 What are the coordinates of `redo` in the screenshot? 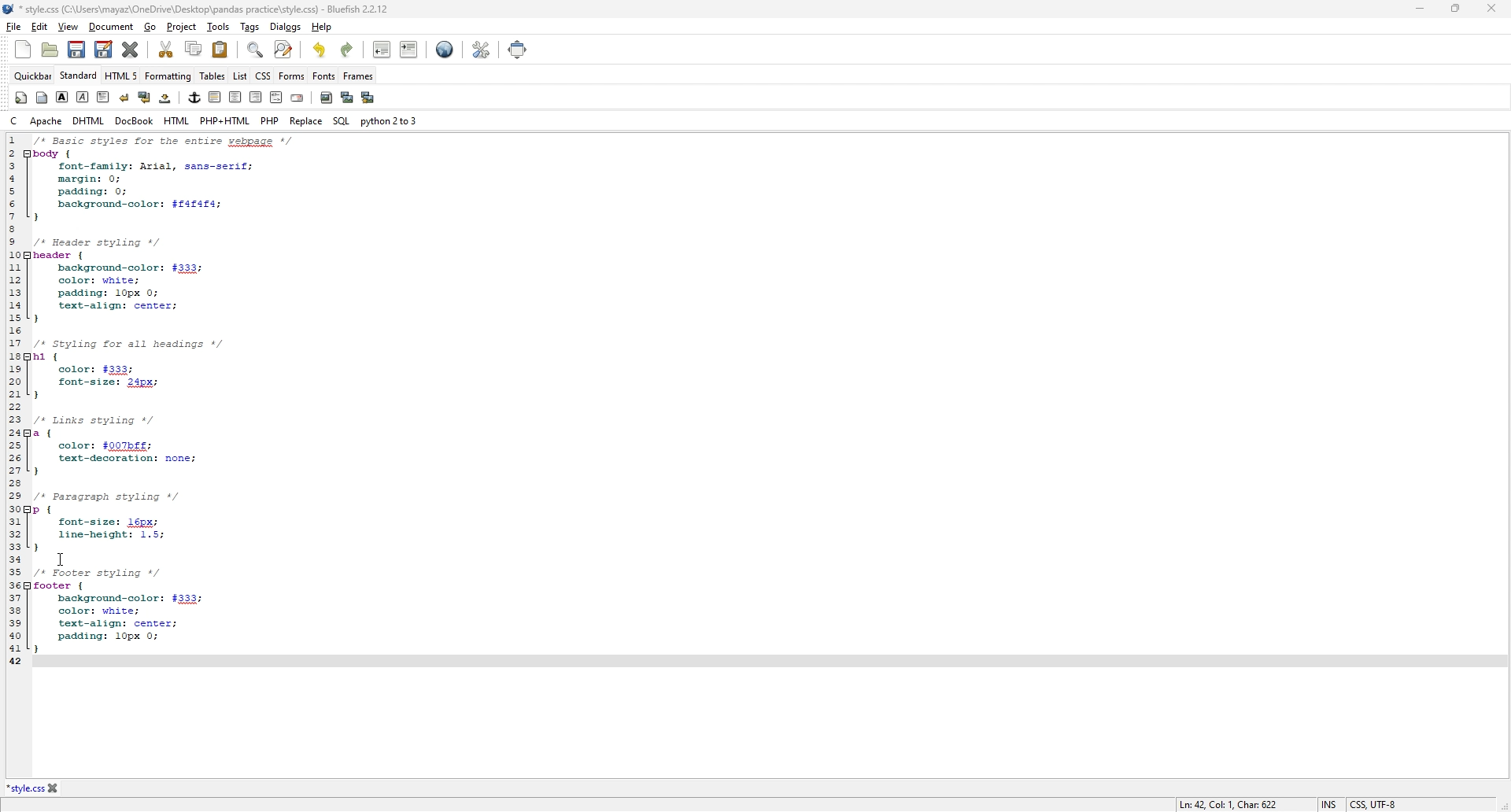 It's located at (348, 50).